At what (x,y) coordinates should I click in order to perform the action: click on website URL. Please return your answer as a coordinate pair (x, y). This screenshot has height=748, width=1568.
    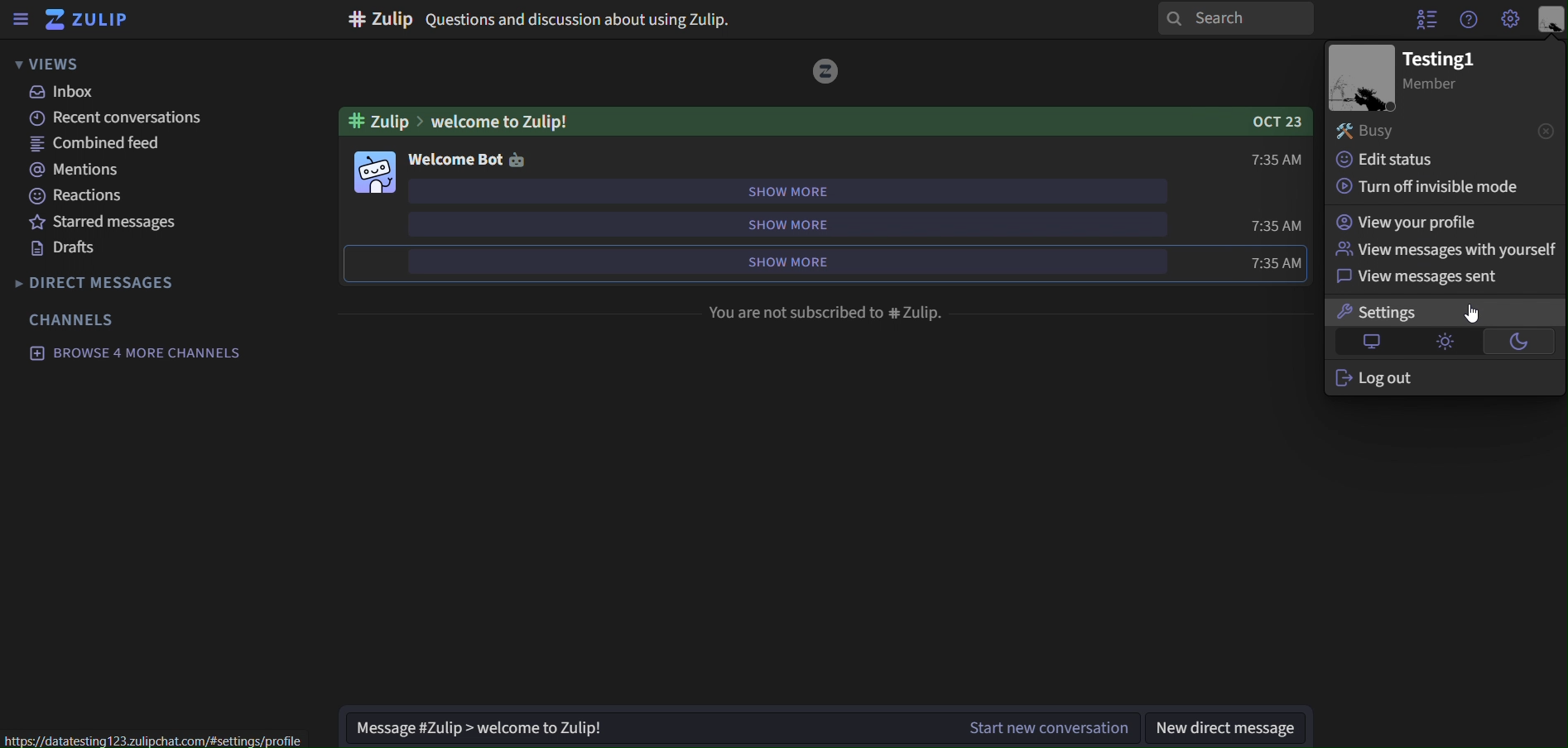
    Looking at the image, I should click on (156, 737).